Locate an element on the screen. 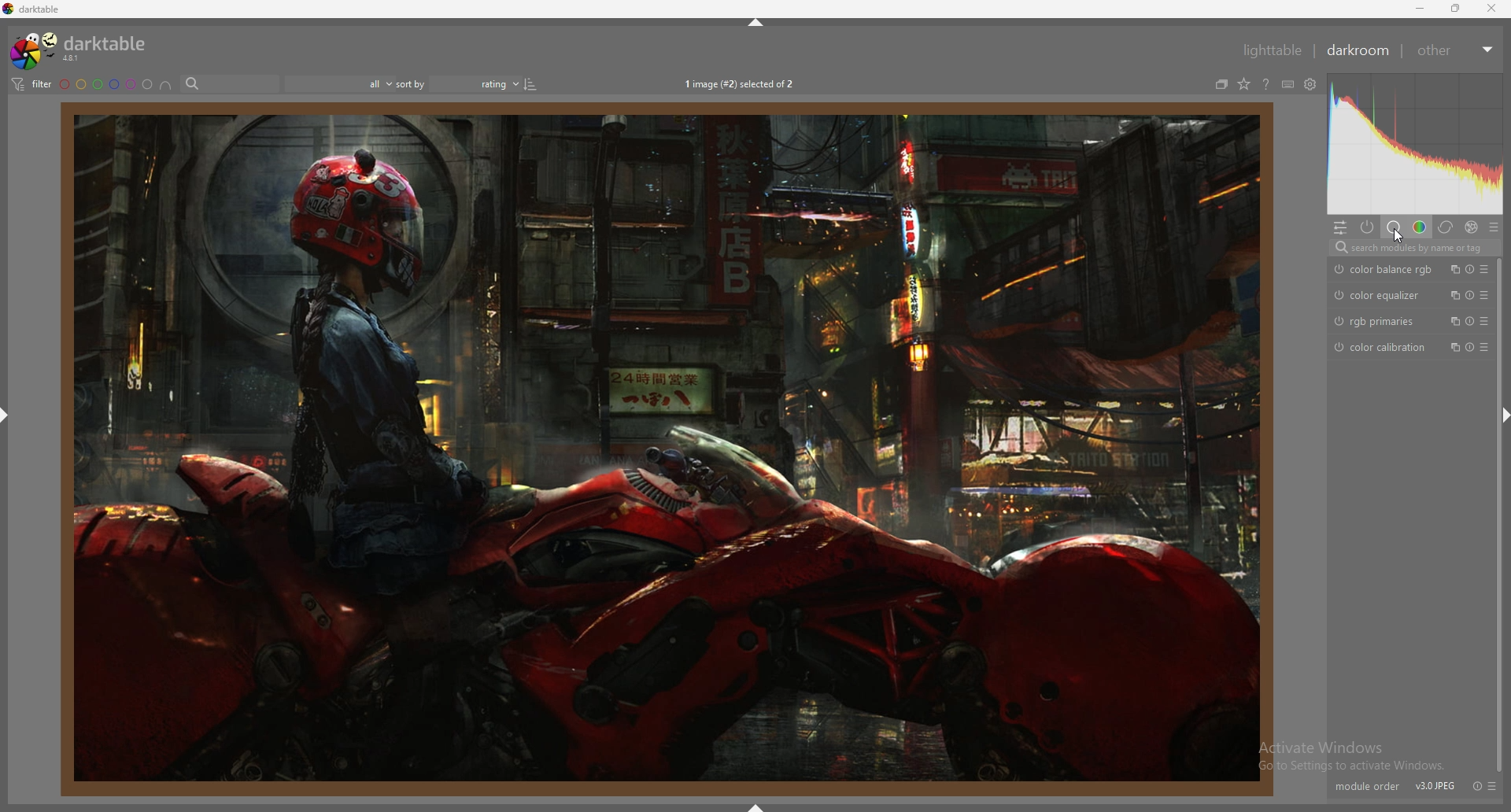  change type of overlays is located at coordinates (1243, 84).